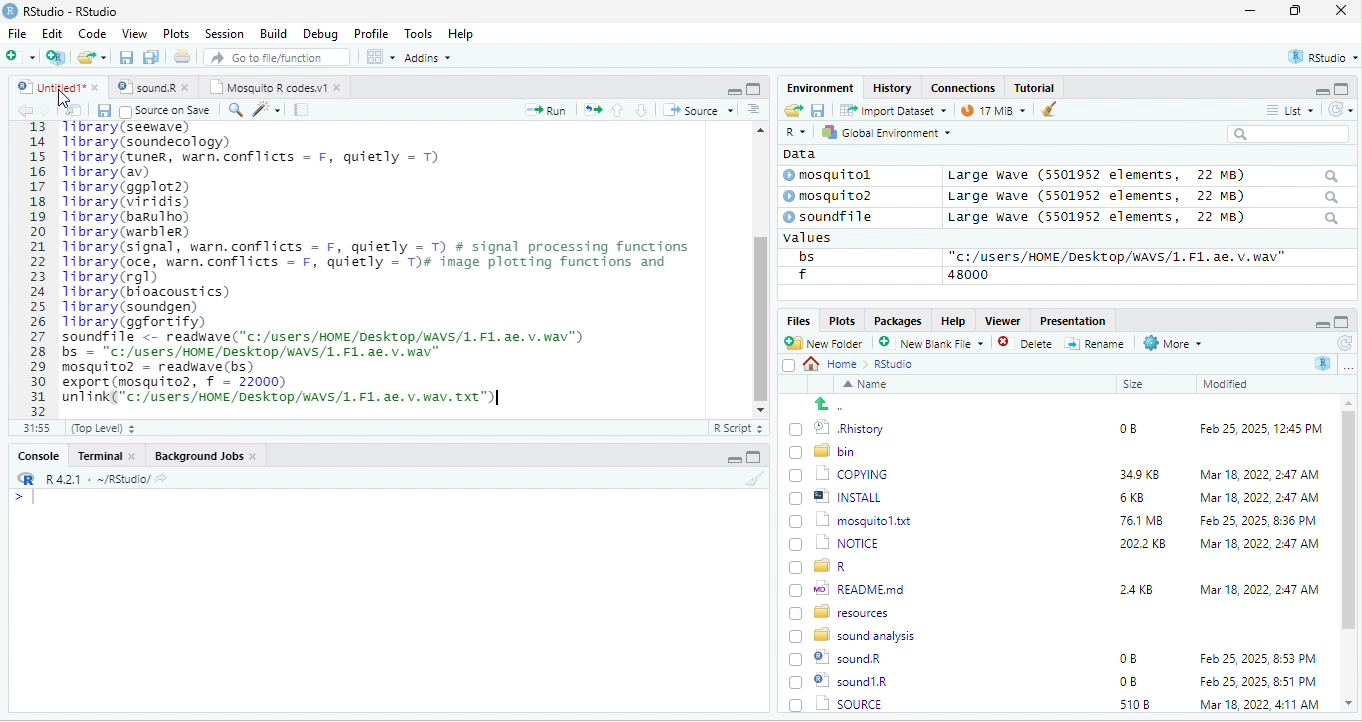 The height and width of the screenshot is (722, 1362). I want to click on 0B, so click(1121, 426).